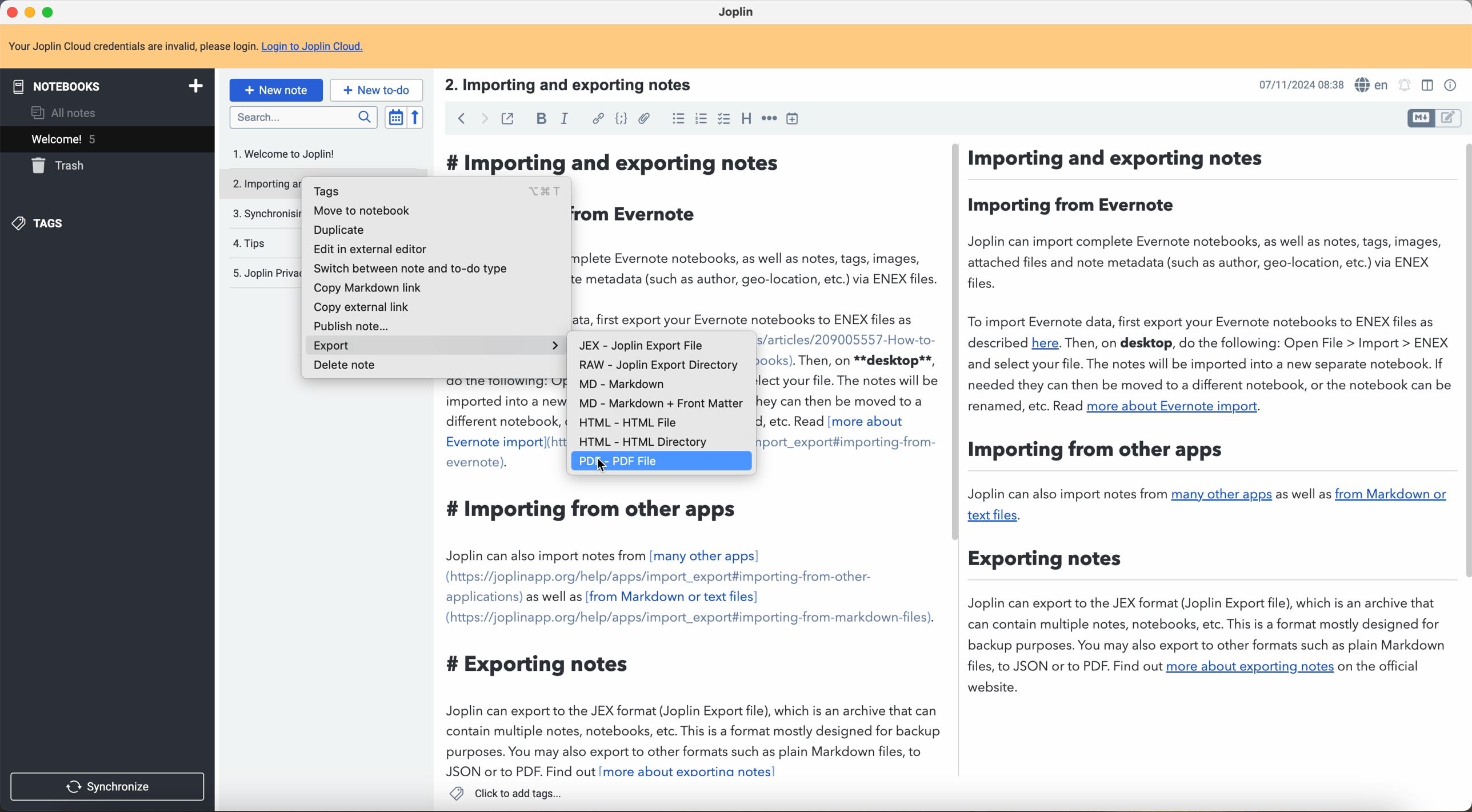 This screenshot has width=1472, height=812. Describe the element at coordinates (662, 461) in the screenshot. I see `PDF - PDF File` at that location.